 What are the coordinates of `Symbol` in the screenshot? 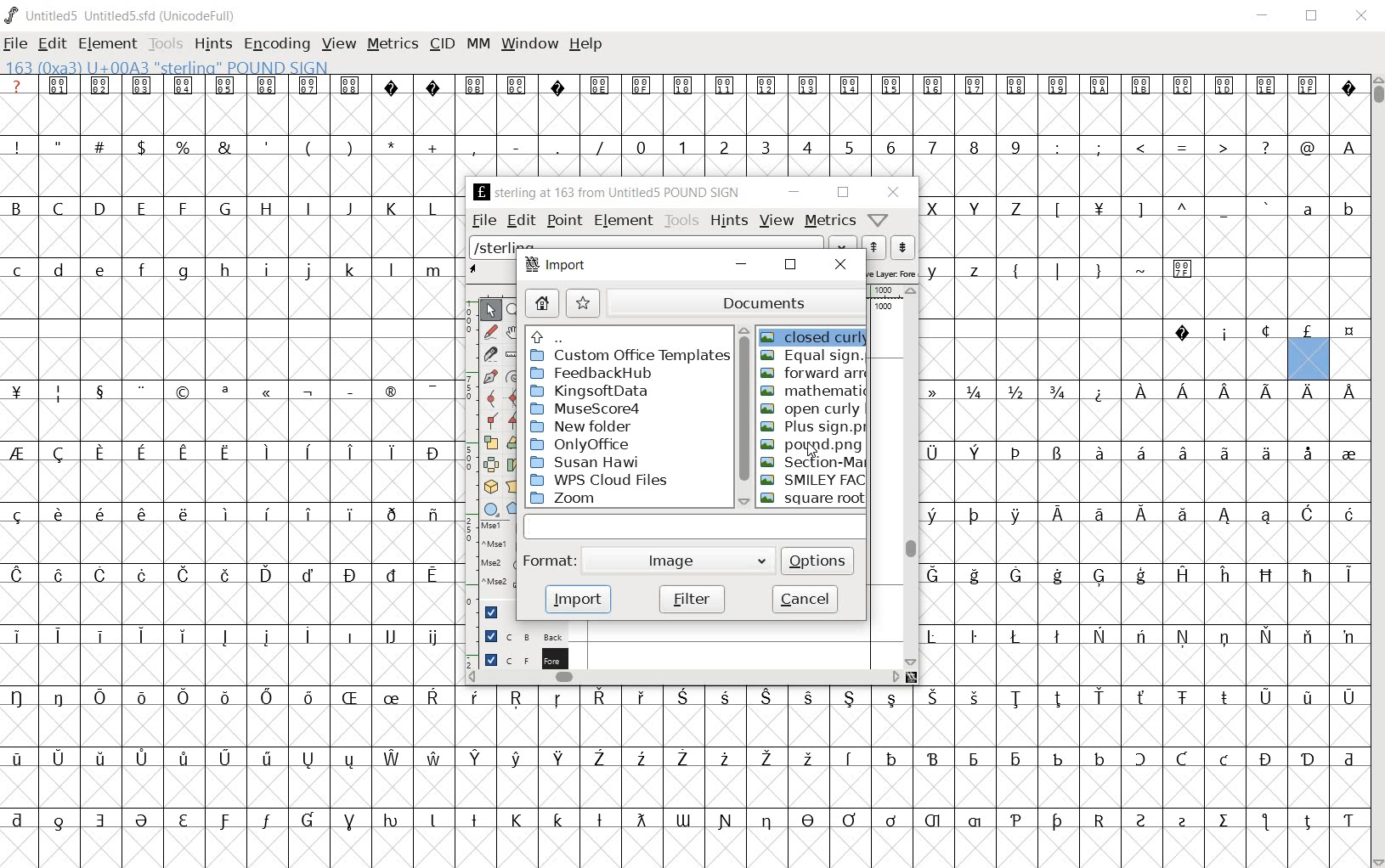 It's located at (640, 758).